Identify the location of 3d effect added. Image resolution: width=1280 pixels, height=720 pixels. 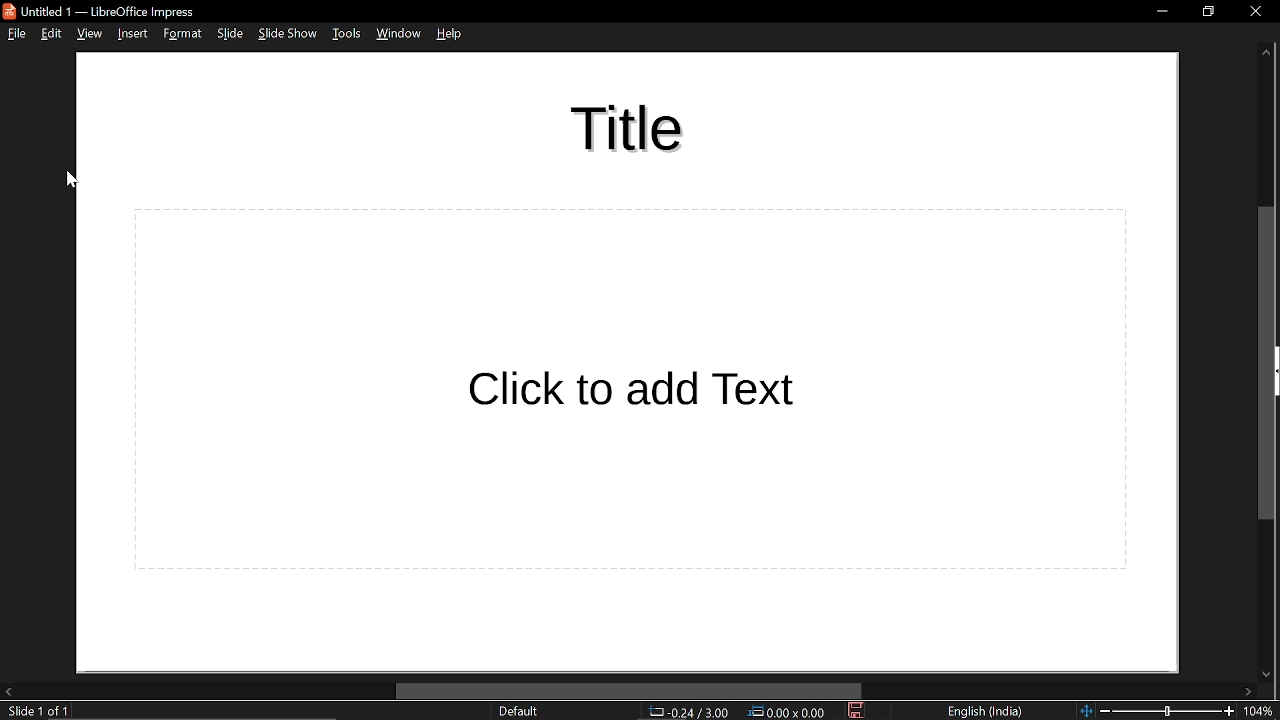
(623, 127).